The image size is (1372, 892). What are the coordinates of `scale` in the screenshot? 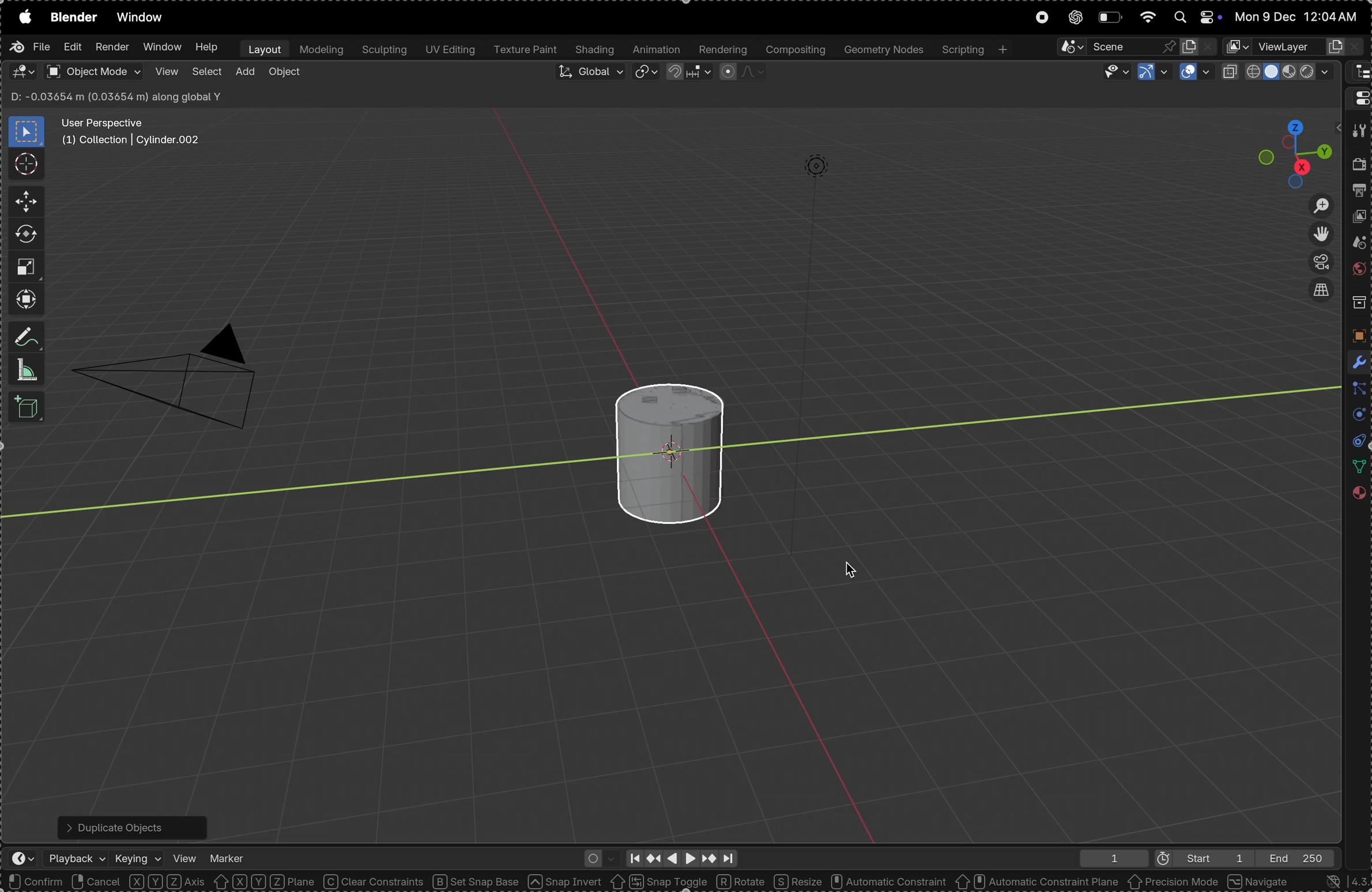 It's located at (25, 266).